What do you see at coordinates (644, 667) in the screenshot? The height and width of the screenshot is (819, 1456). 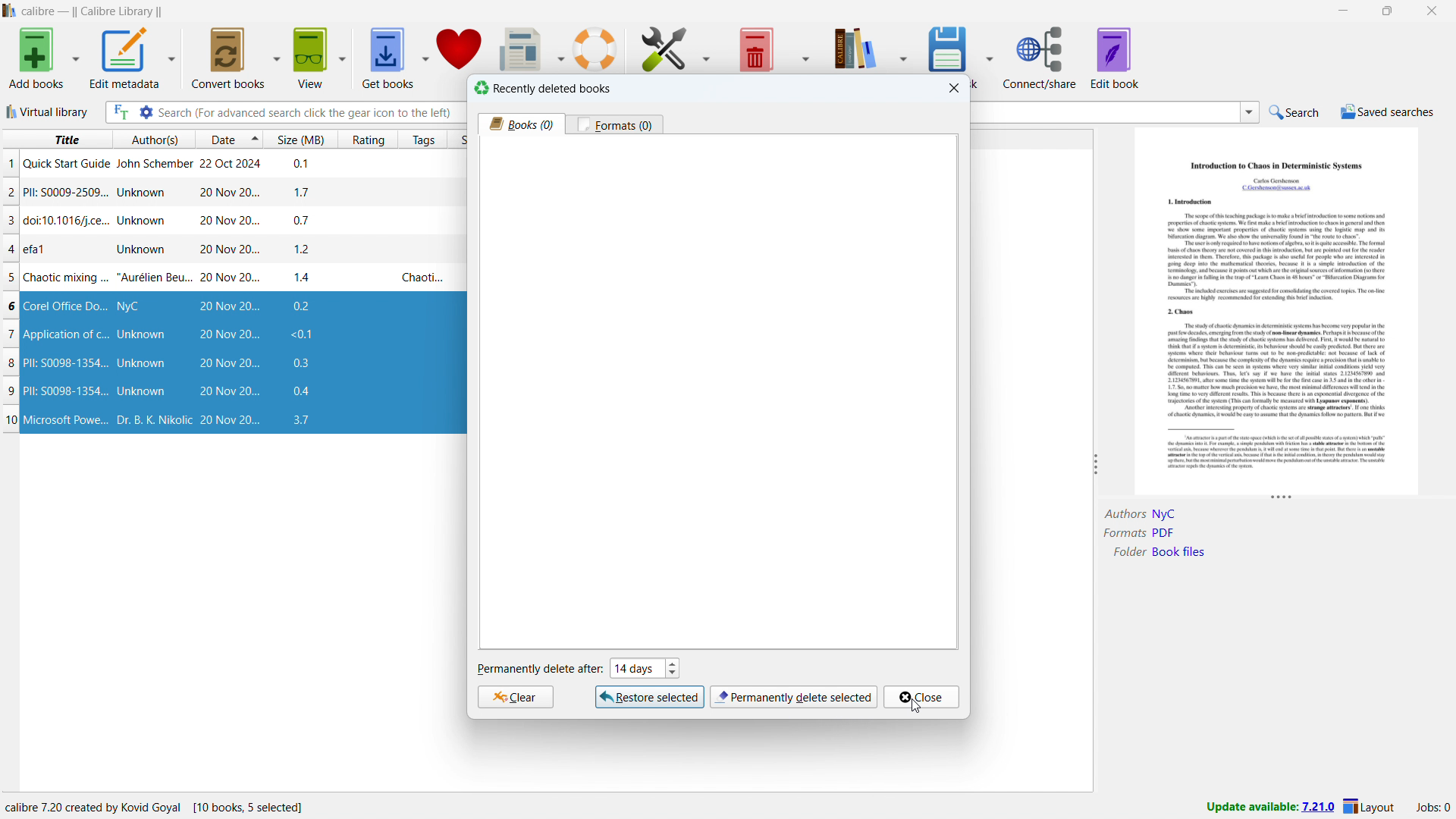 I see `set when to permanently delete` at bounding box center [644, 667].